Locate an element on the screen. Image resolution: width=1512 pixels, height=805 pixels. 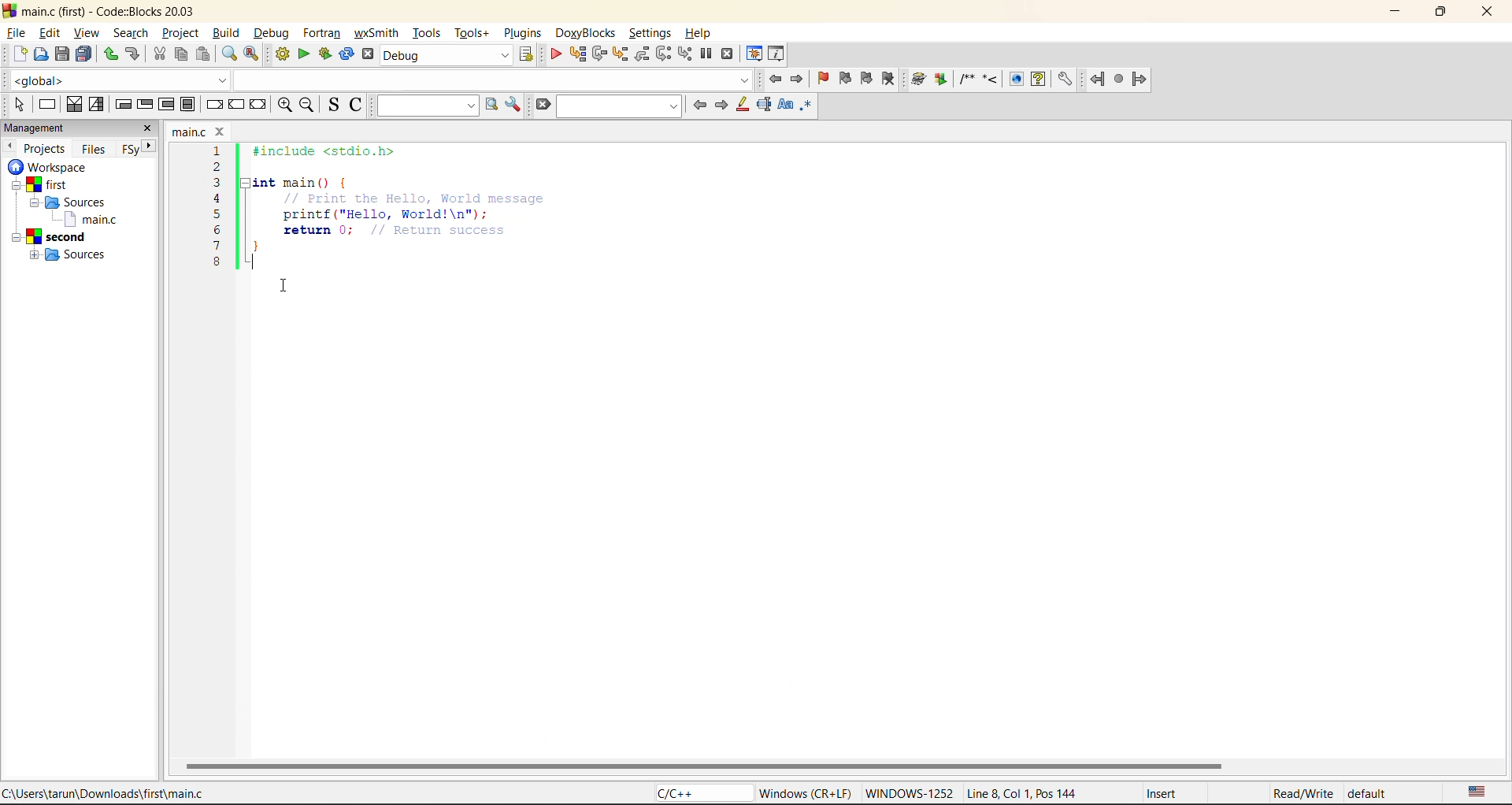
show select target dialog is located at coordinates (528, 57).